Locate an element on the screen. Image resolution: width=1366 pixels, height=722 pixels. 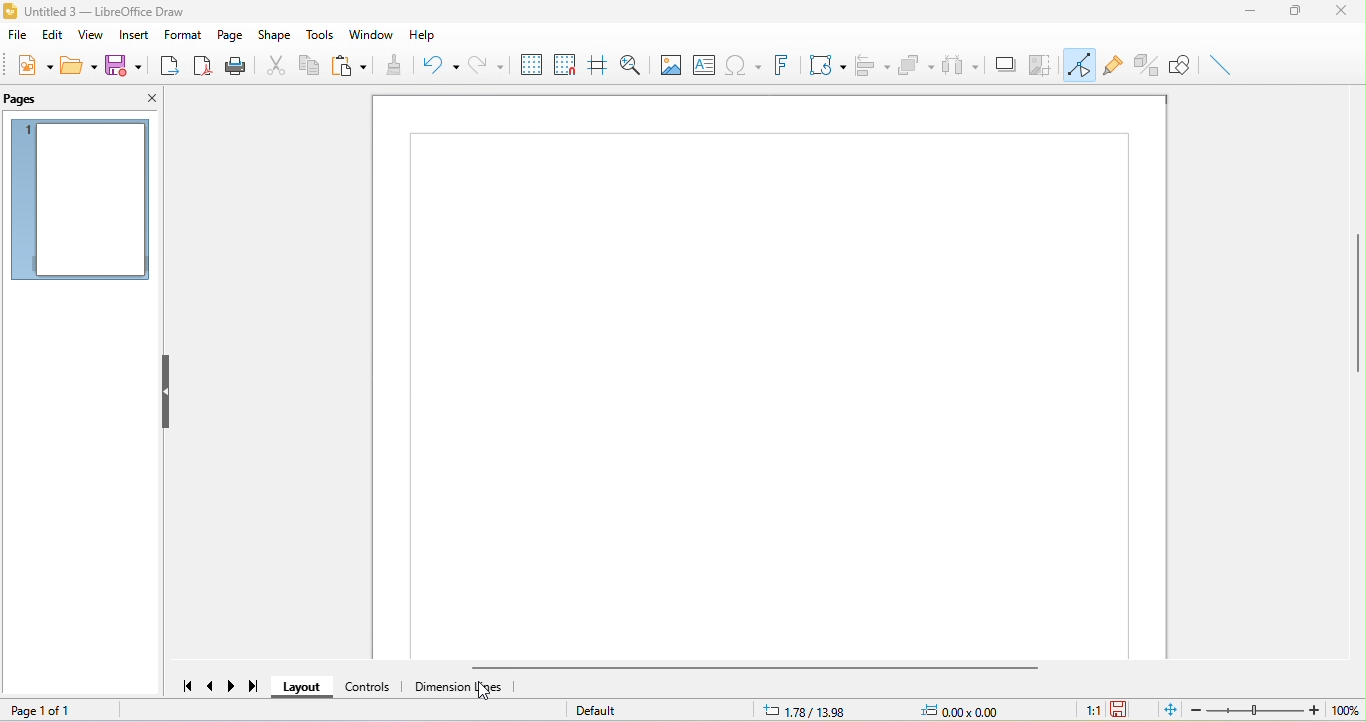
help is located at coordinates (428, 31).